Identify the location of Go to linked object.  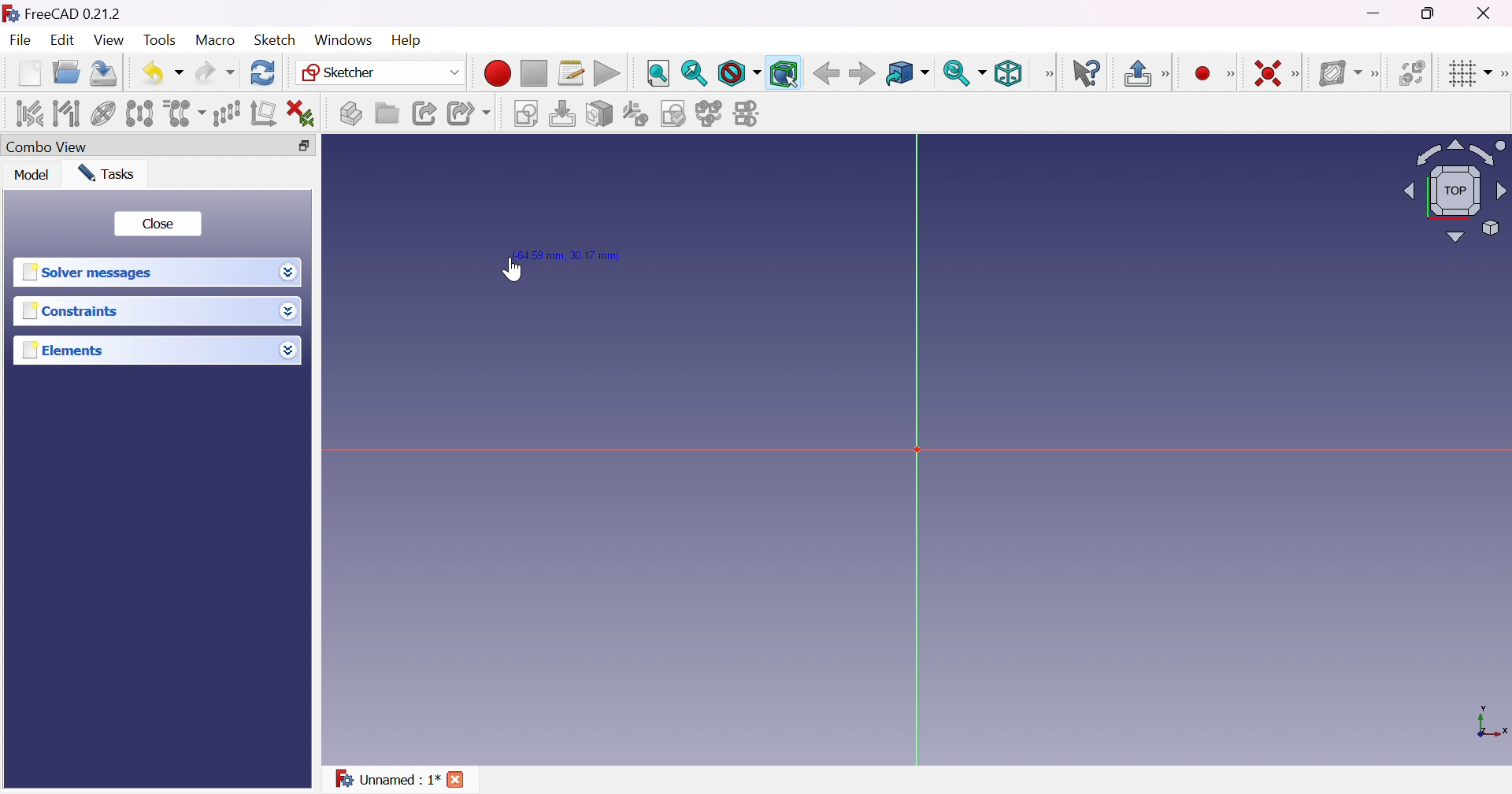
(908, 72).